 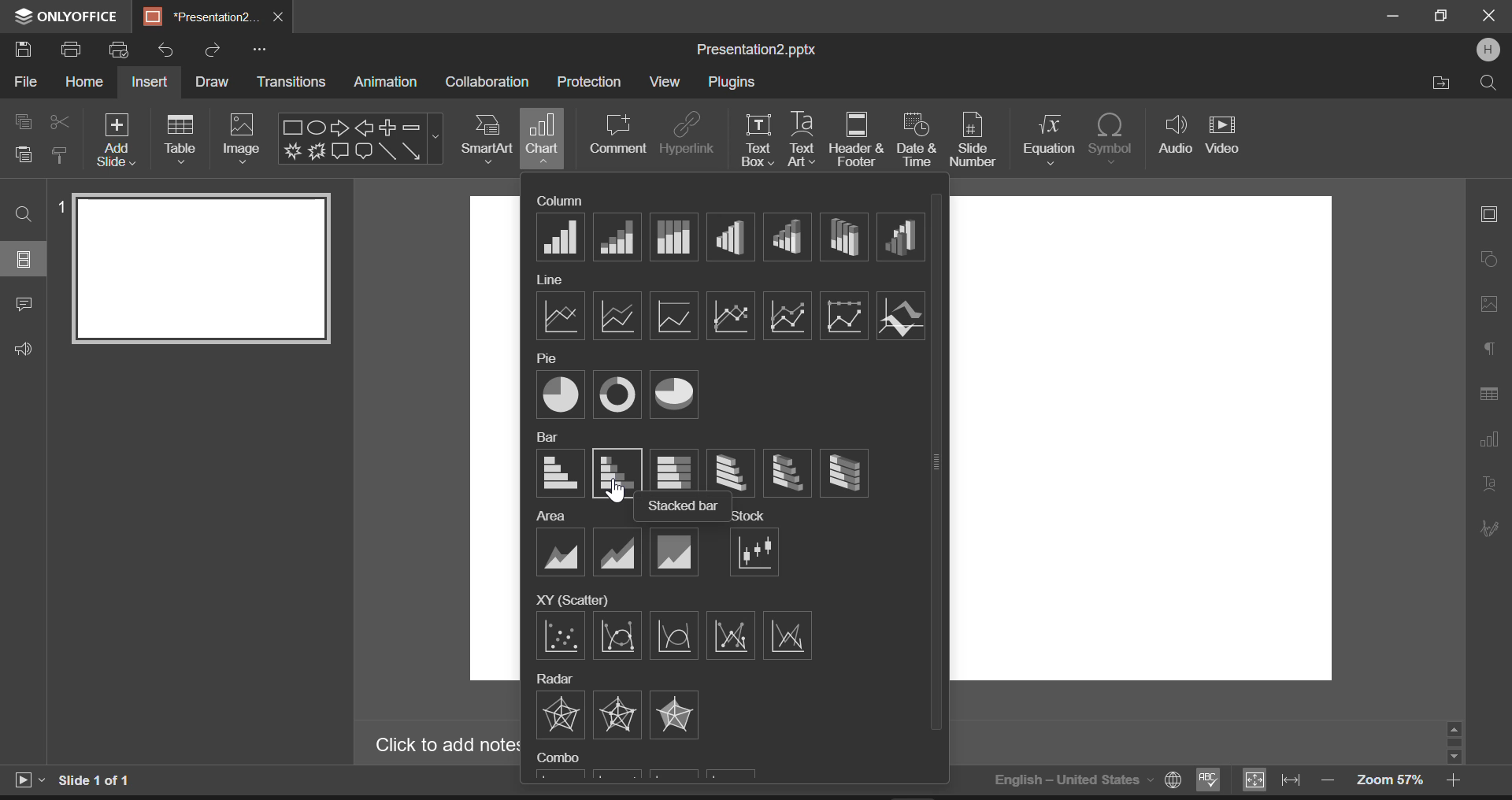 What do you see at coordinates (98, 780) in the screenshot?
I see `Slide 1 of 1` at bounding box center [98, 780].